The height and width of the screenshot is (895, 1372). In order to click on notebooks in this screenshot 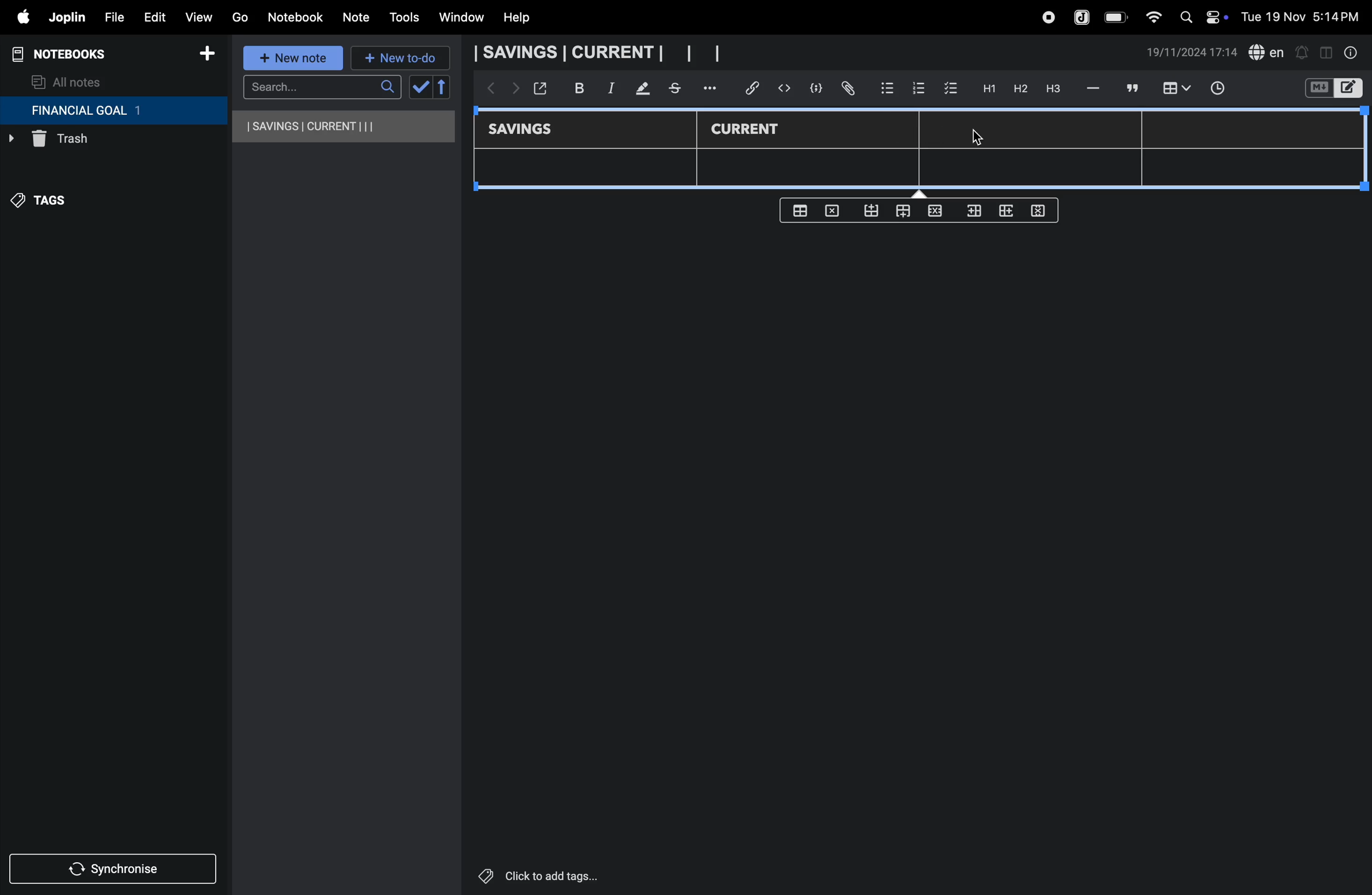, I will do `click(69, 54)`.